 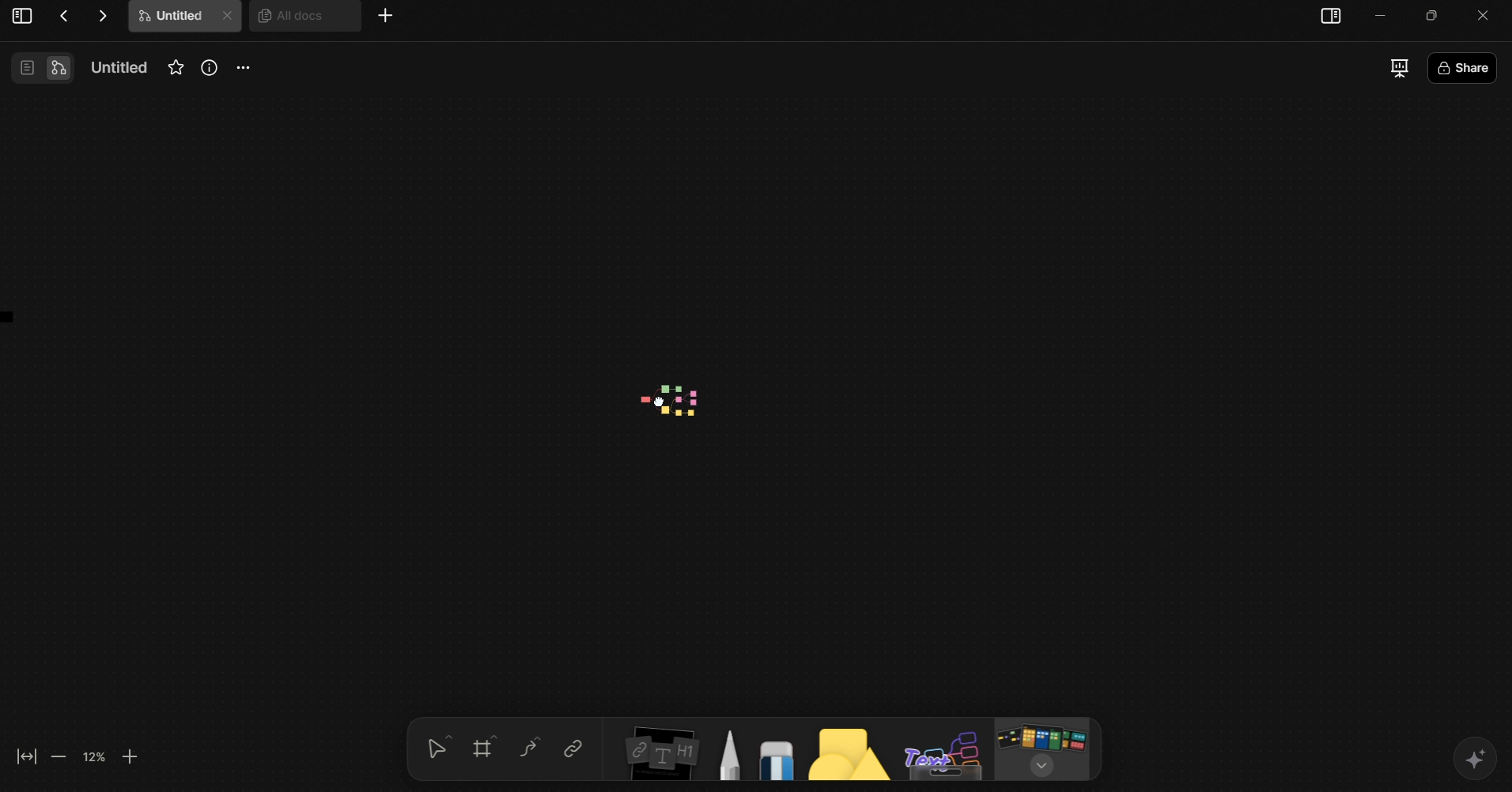 I want to click on Eraser Tool, so click(x=776, y=754).